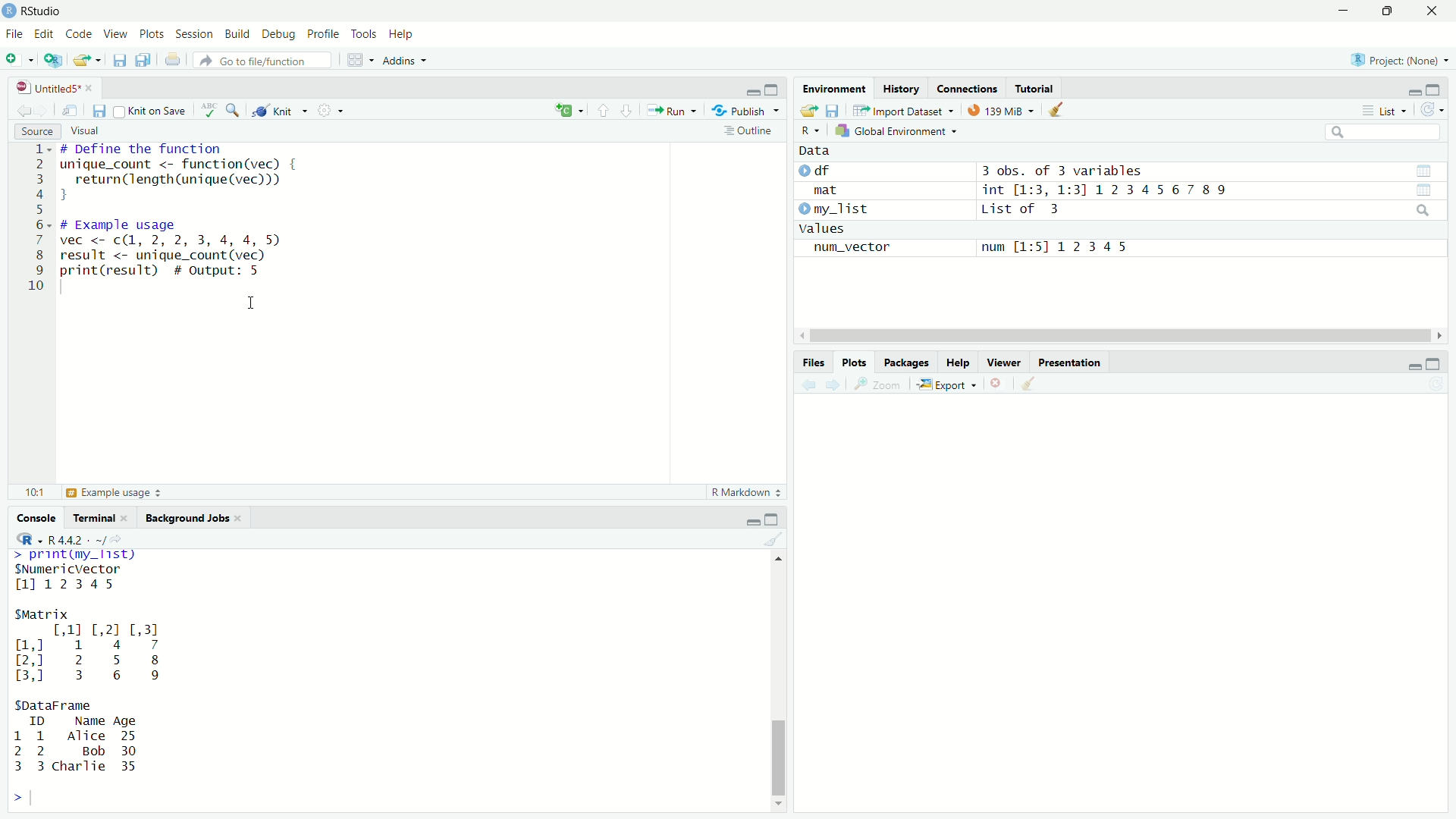 The image size is (1456, 819). Describe the element at coordinates (772, 519) in the screenshot. I see `maximize` at that location.